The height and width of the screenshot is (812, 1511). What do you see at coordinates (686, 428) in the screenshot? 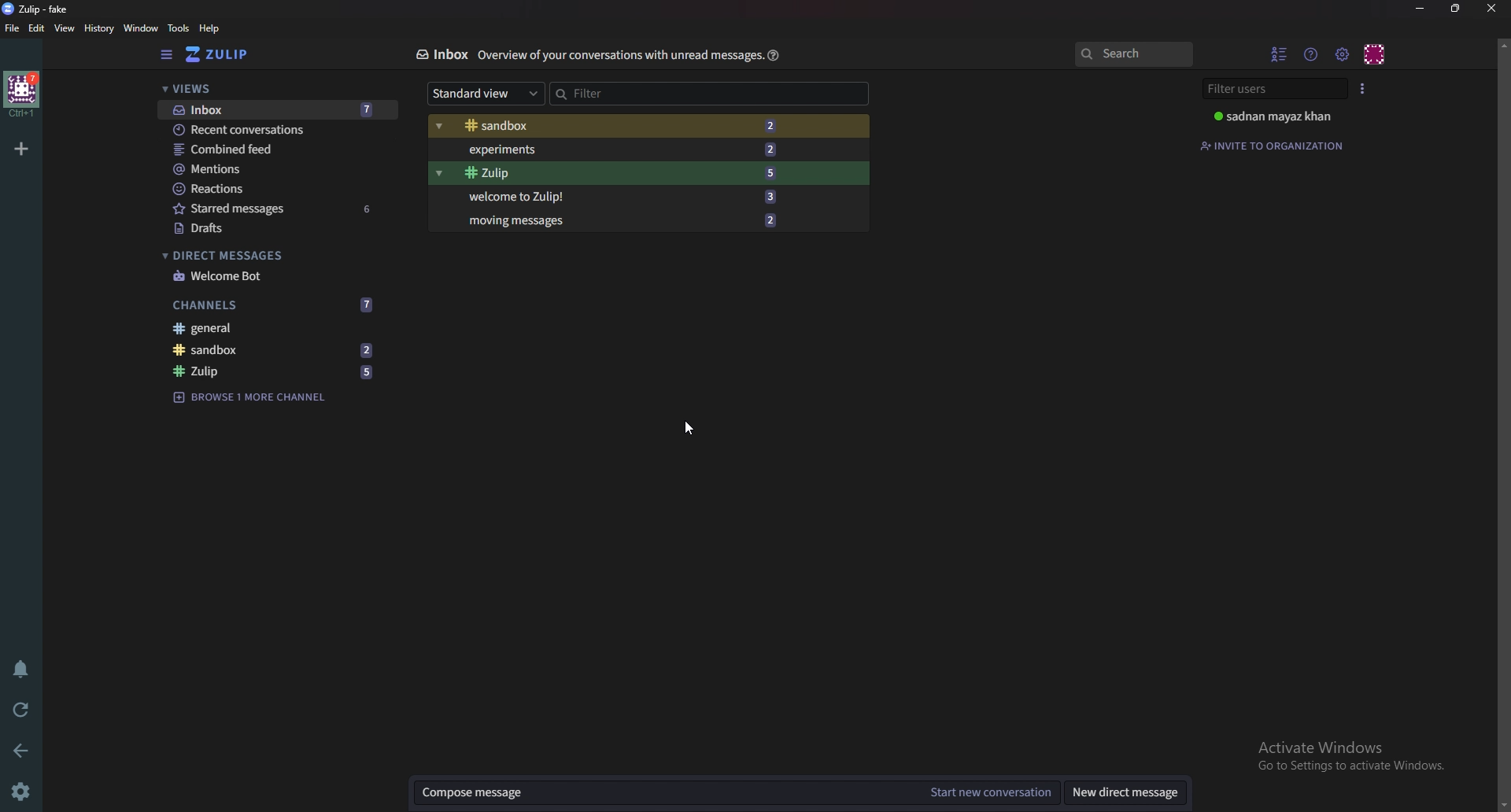
I see `Cursor` at bounding box center [686, 428].